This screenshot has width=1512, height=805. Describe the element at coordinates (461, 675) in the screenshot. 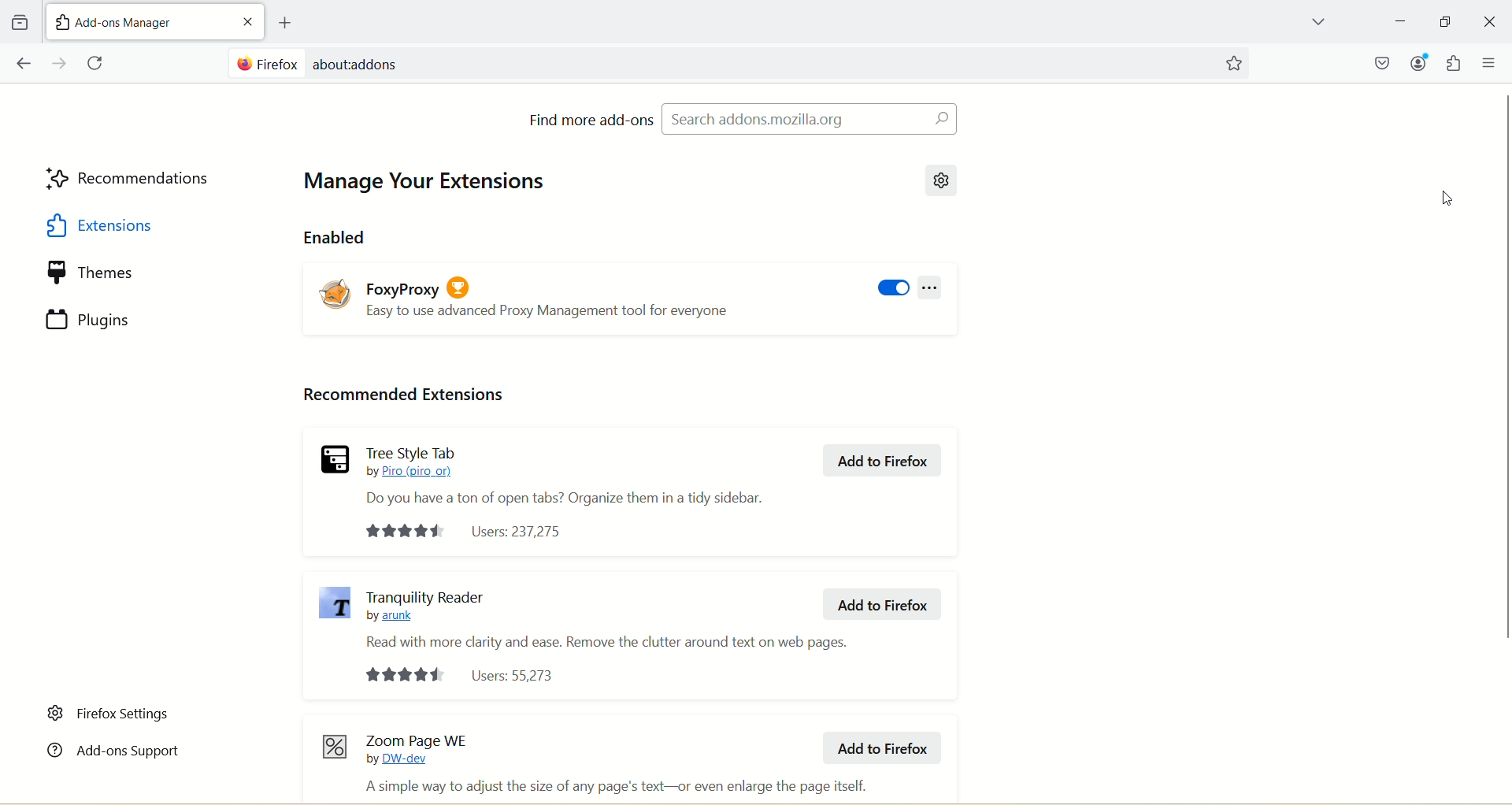

I see `Users: 55,273` at that location.